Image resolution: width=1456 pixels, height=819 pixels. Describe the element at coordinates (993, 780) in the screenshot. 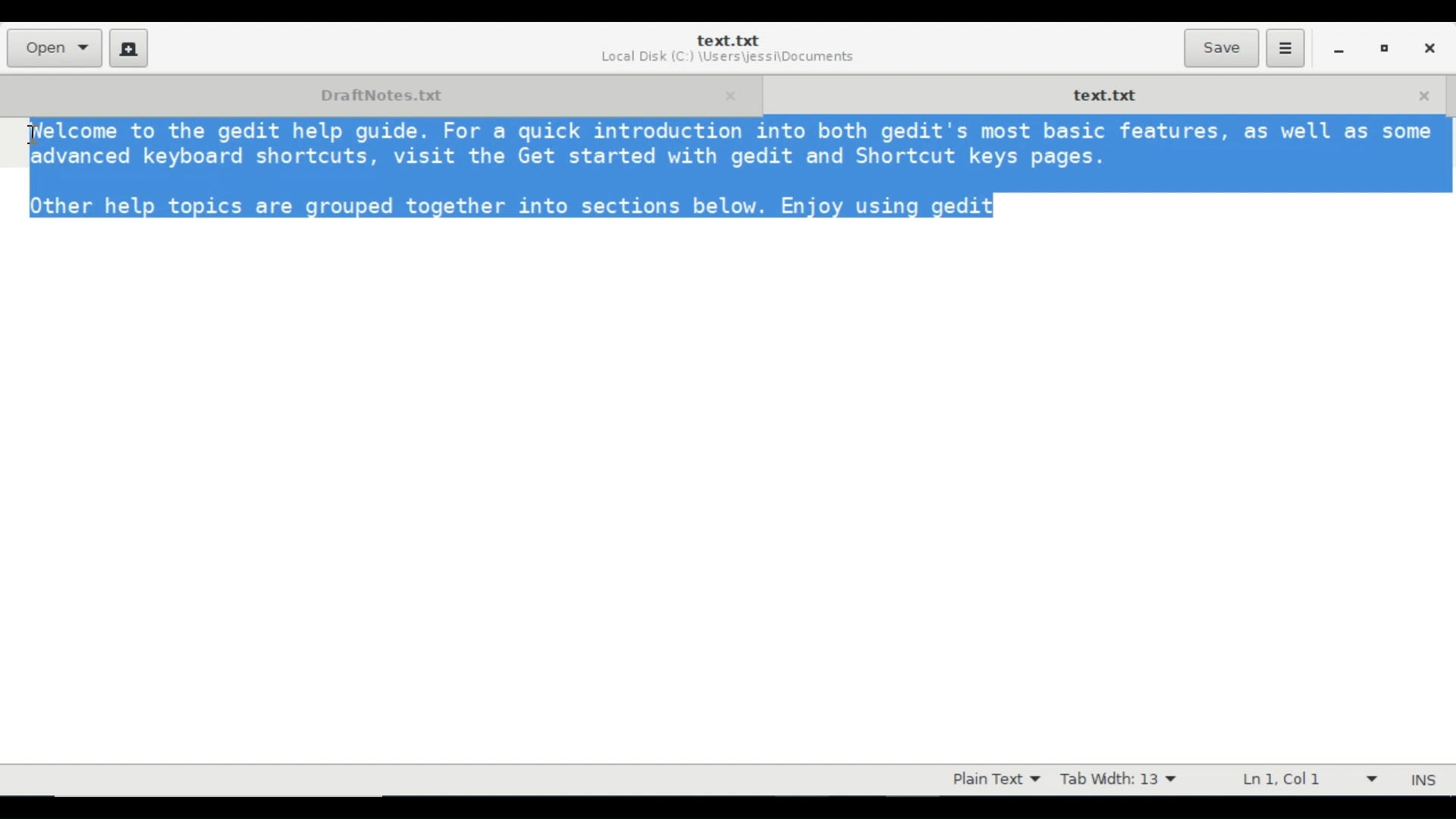

I see `File type` at that location.